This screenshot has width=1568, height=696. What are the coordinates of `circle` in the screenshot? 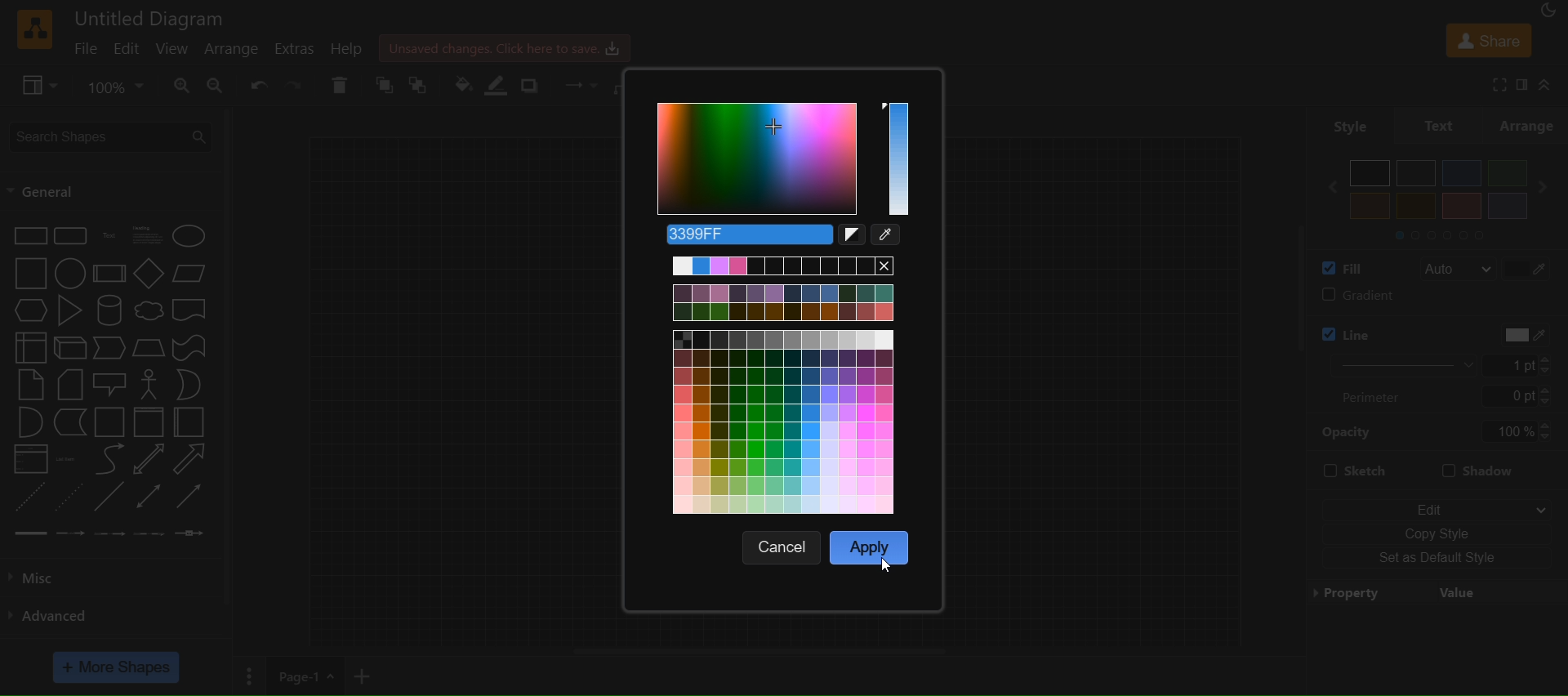 It's located at (68, 275).